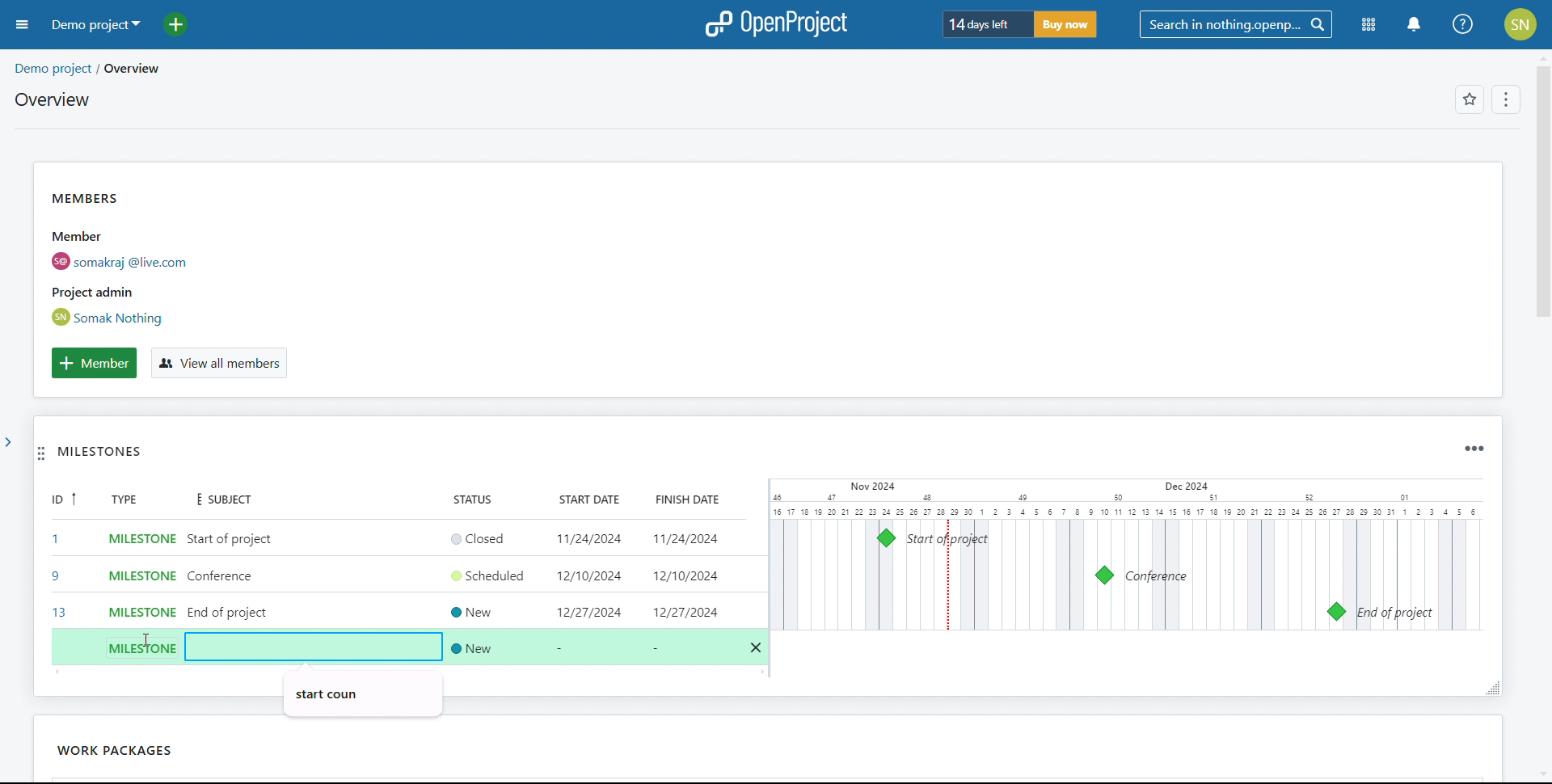 This screenshot has height=784, width=1552. What do you see at coordinates (149, 258) in the screenshot?
I see `members` at bounding box center [149, 258].